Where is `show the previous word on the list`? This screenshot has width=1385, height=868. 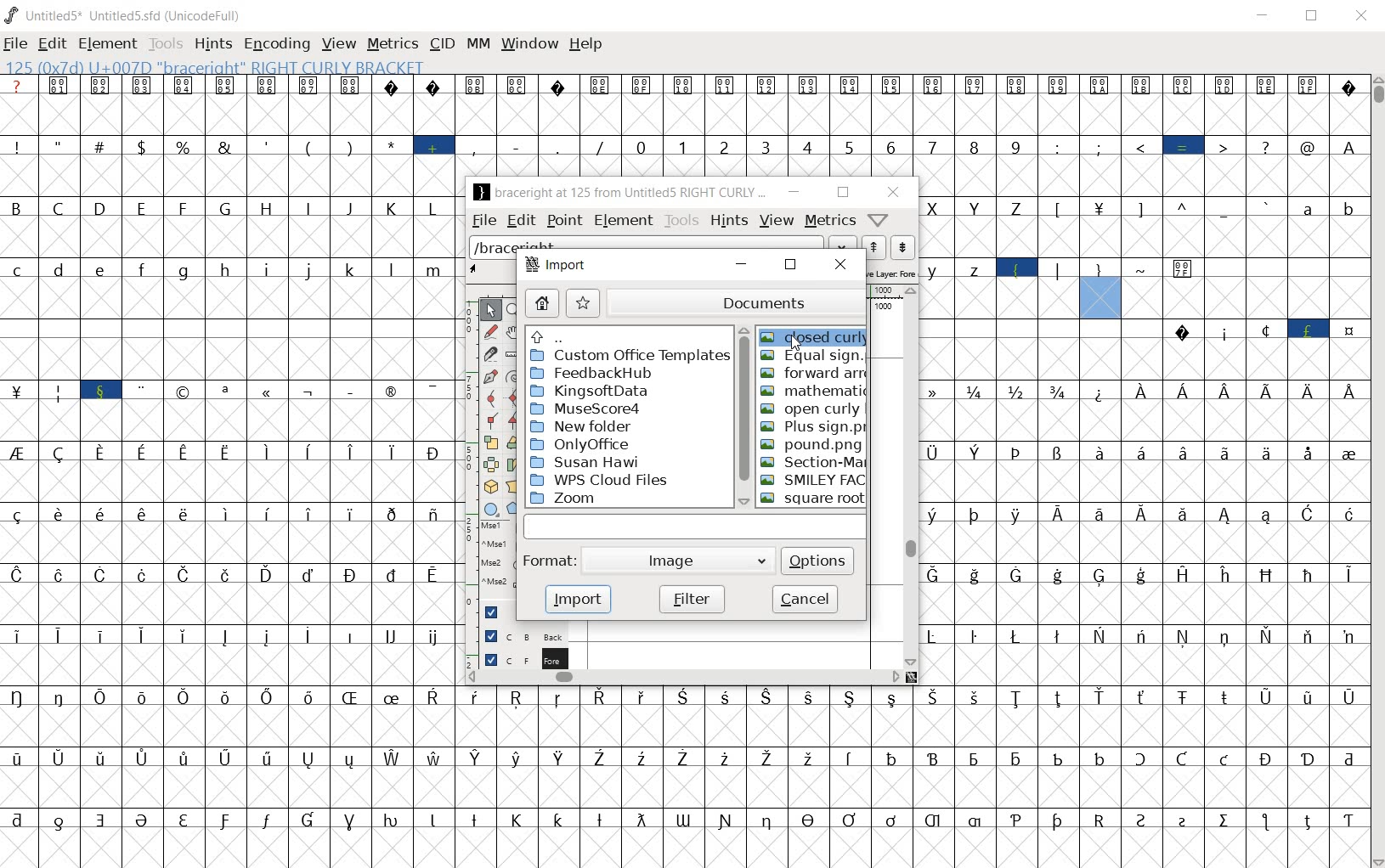 show the previous word on the list is located at coordinates (902, 247).